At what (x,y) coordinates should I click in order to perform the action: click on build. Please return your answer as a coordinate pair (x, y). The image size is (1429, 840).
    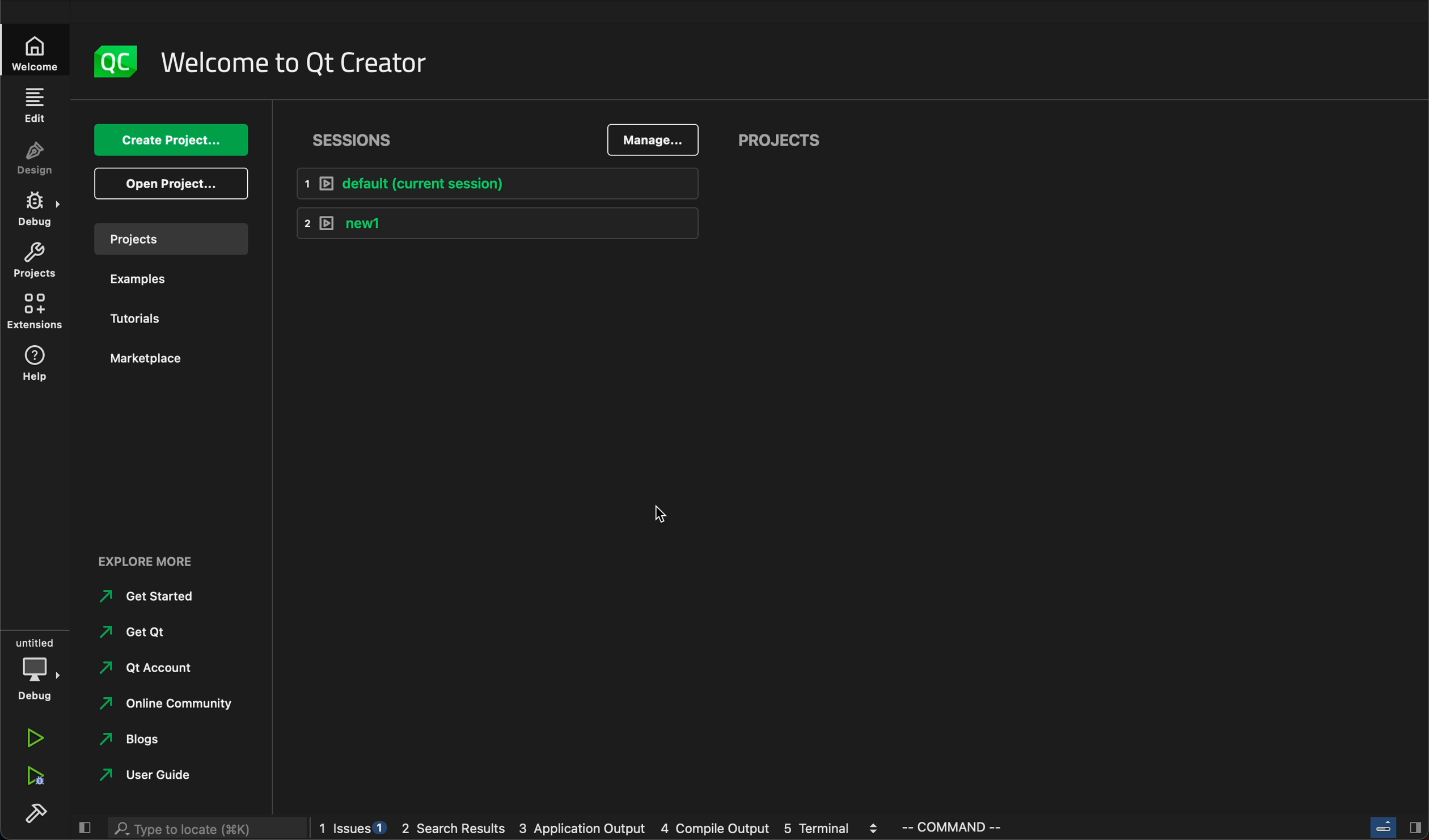
    Looking at the image, I should click on (40, 816).